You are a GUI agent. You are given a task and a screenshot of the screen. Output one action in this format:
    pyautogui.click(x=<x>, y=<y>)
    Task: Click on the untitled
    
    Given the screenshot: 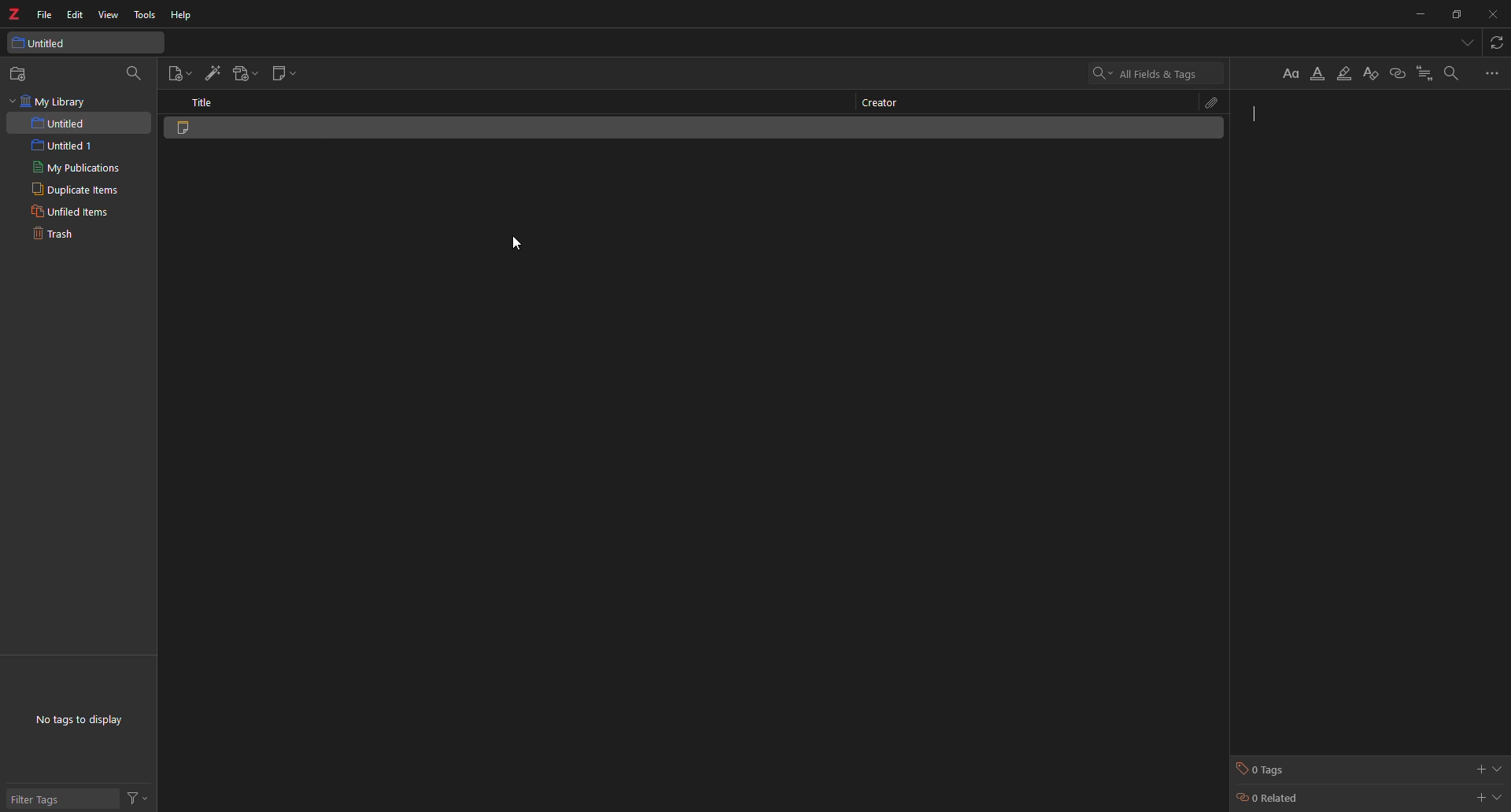 What is the action you would take?
    pyautogui.click(x=64, y=124)
    